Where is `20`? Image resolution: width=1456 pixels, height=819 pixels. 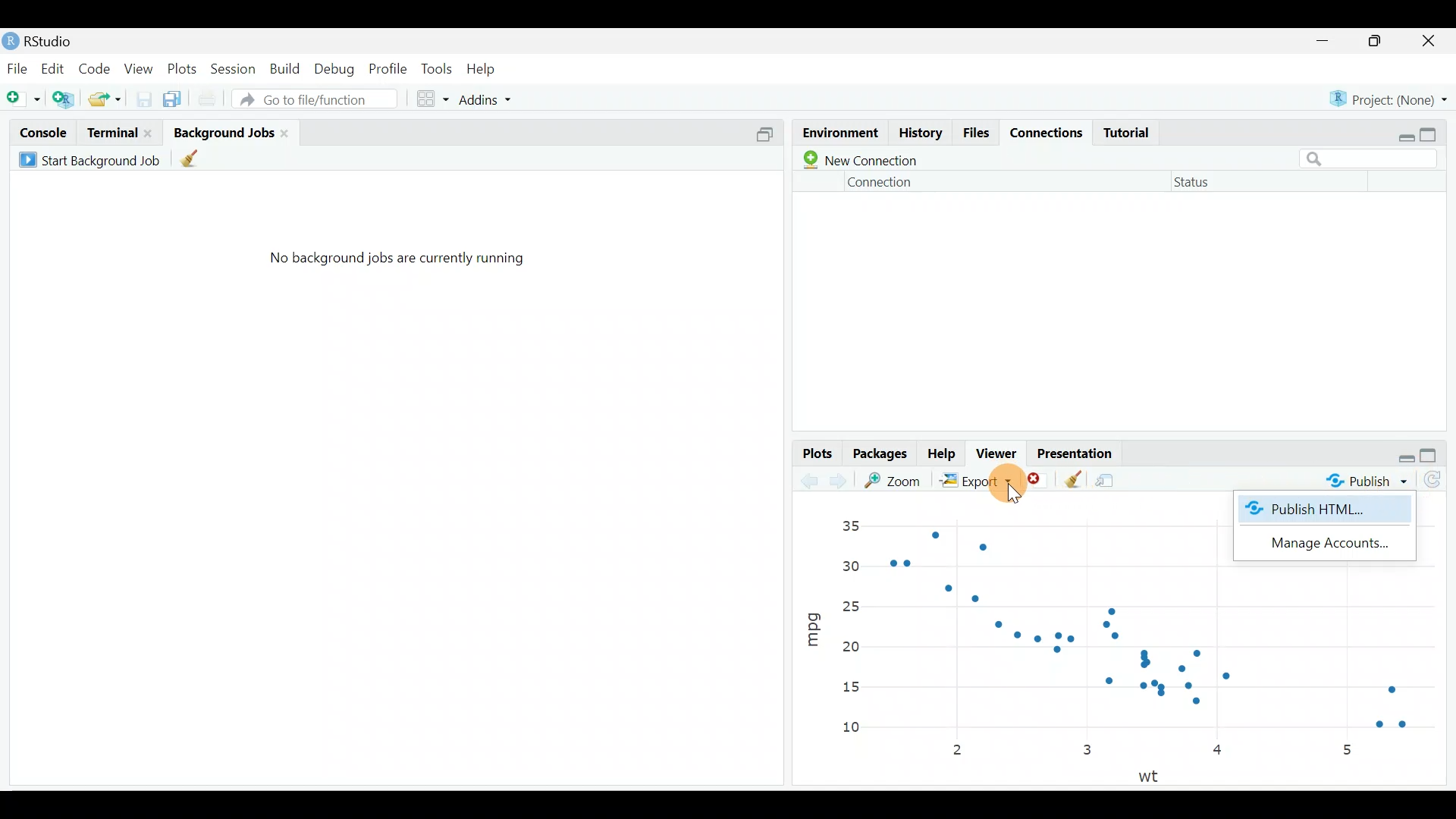 20 is located at coordinates (850, 646).